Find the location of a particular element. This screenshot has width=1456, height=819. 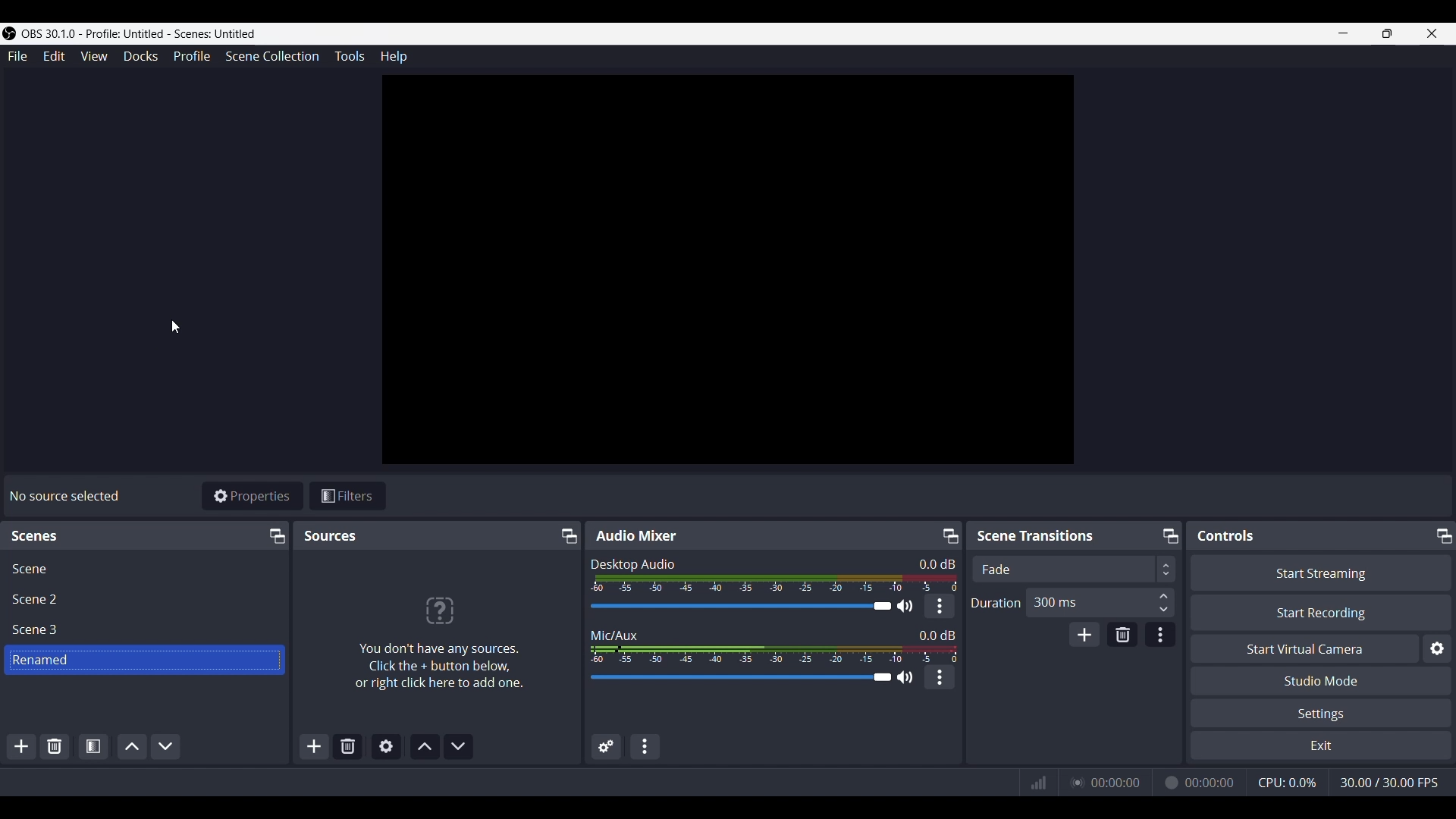

Open scene filters is located at coordinates (92, 745).